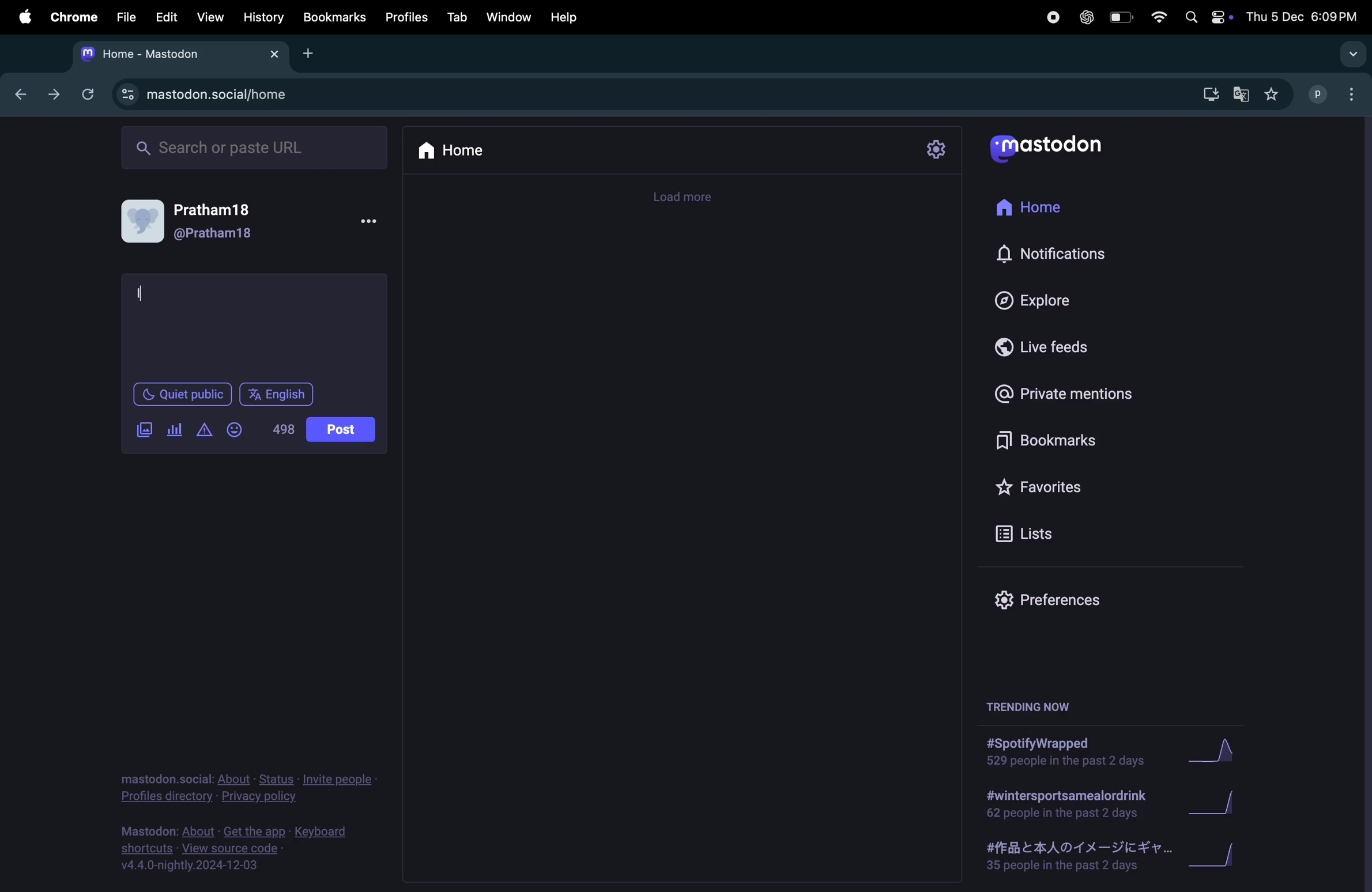 Image resolution: width=1372 pixels, height=892 pixels. Describe the element at coordinates (181, 394) in the screenshot. I see `Quiet public` at that location.